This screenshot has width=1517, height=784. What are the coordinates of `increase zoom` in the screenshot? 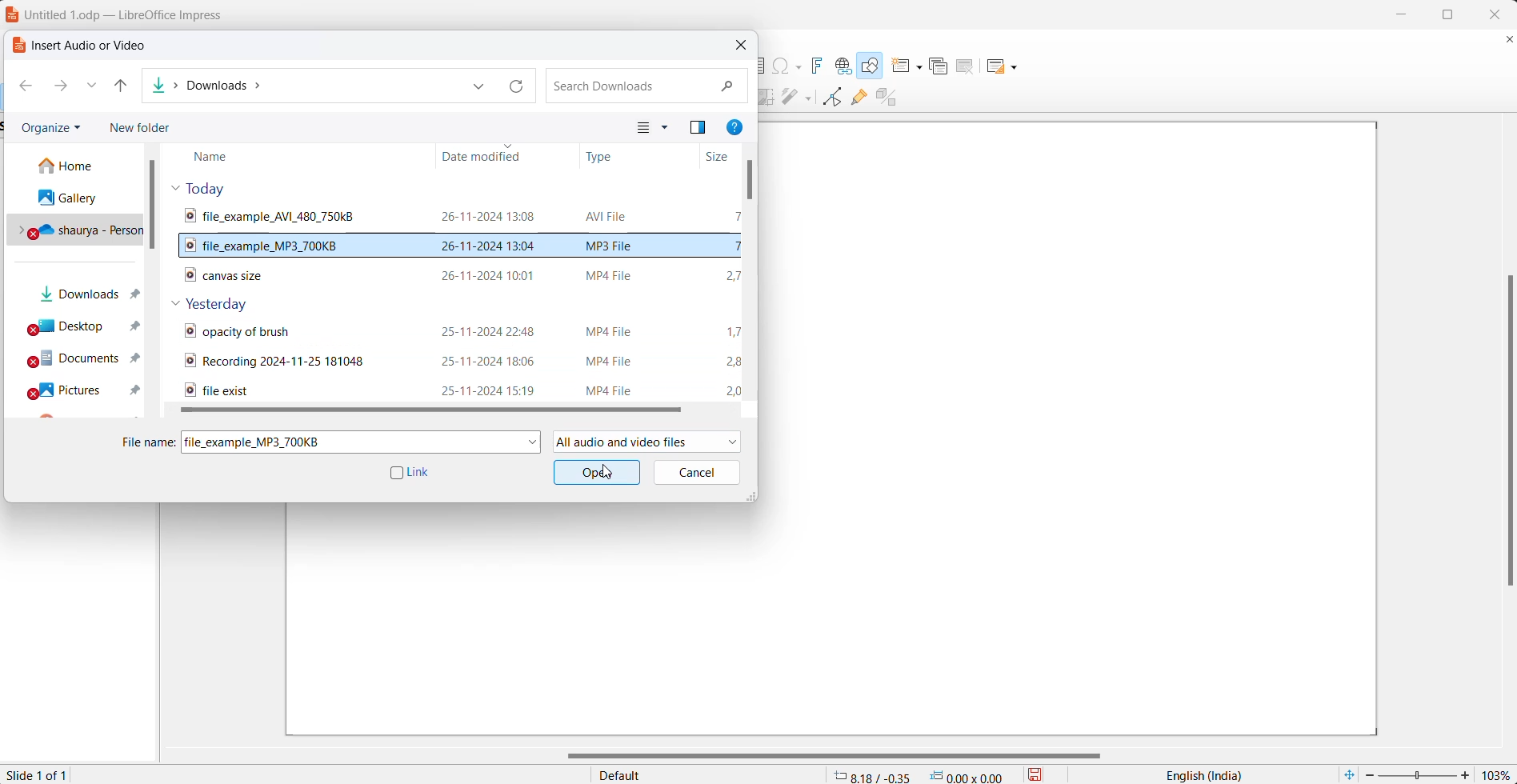 It's located at (1467, 774).